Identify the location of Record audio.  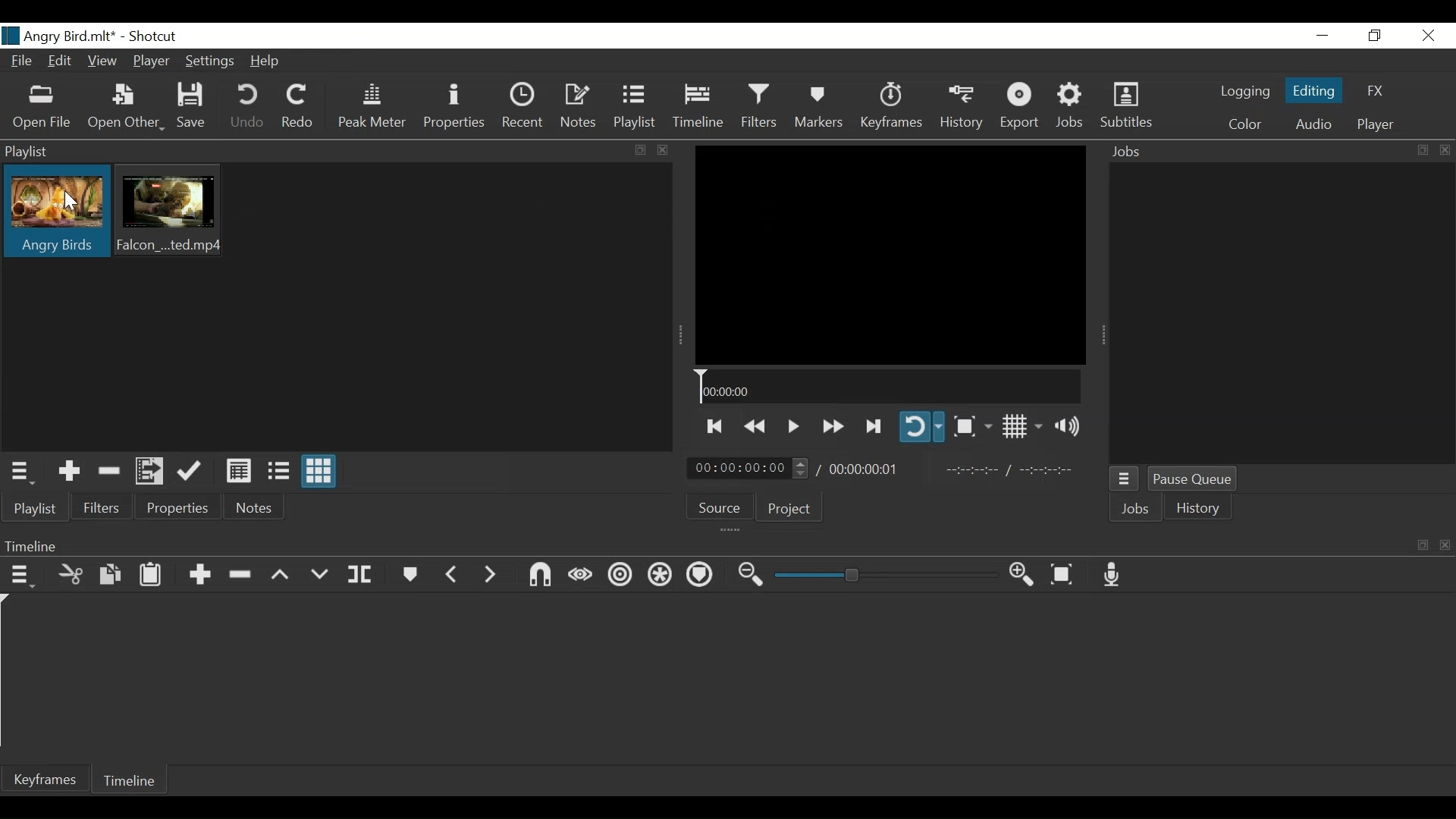
(1112, 576).